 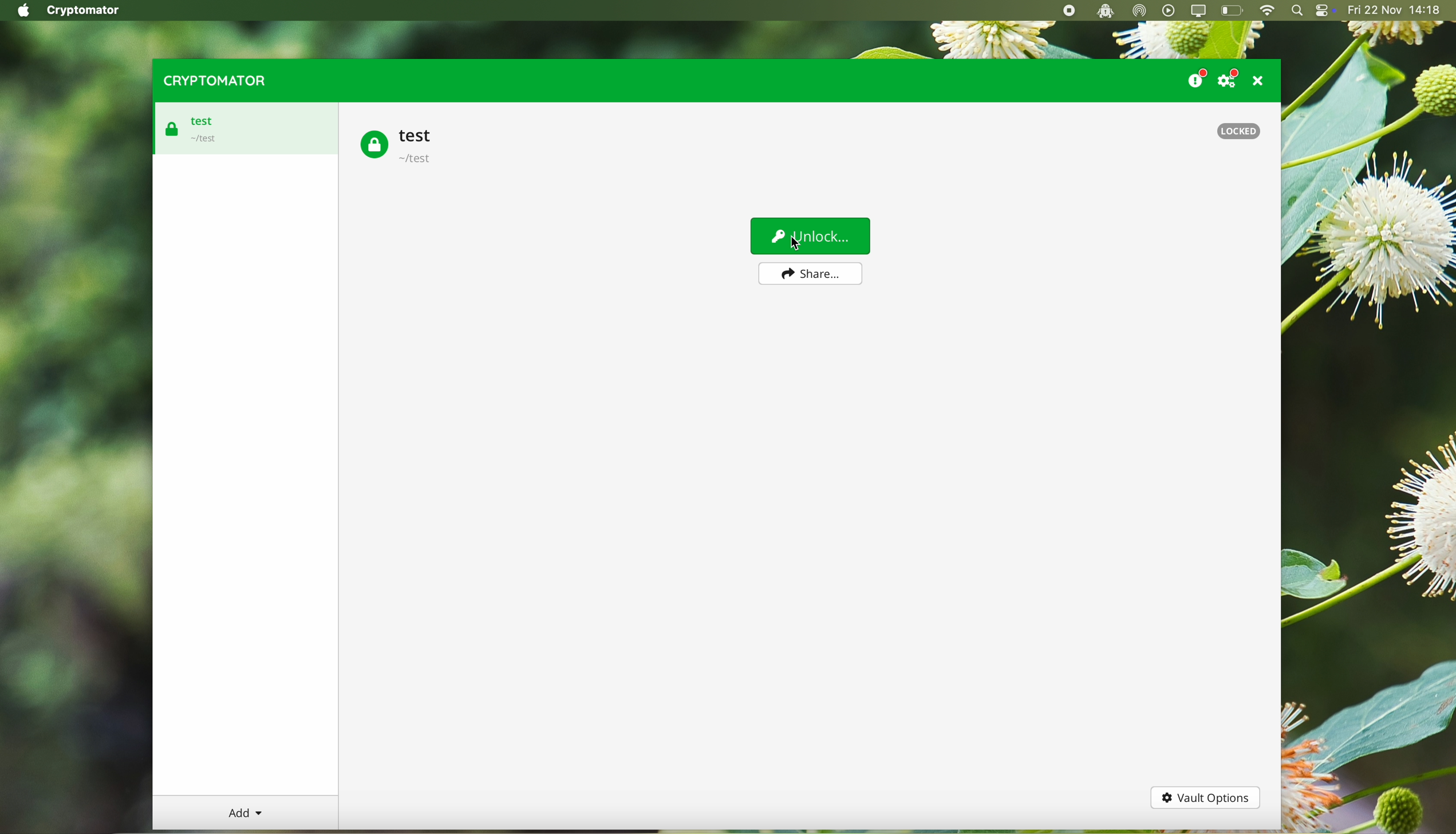 I want to click on Apple icon, so click(x=20, y=10).